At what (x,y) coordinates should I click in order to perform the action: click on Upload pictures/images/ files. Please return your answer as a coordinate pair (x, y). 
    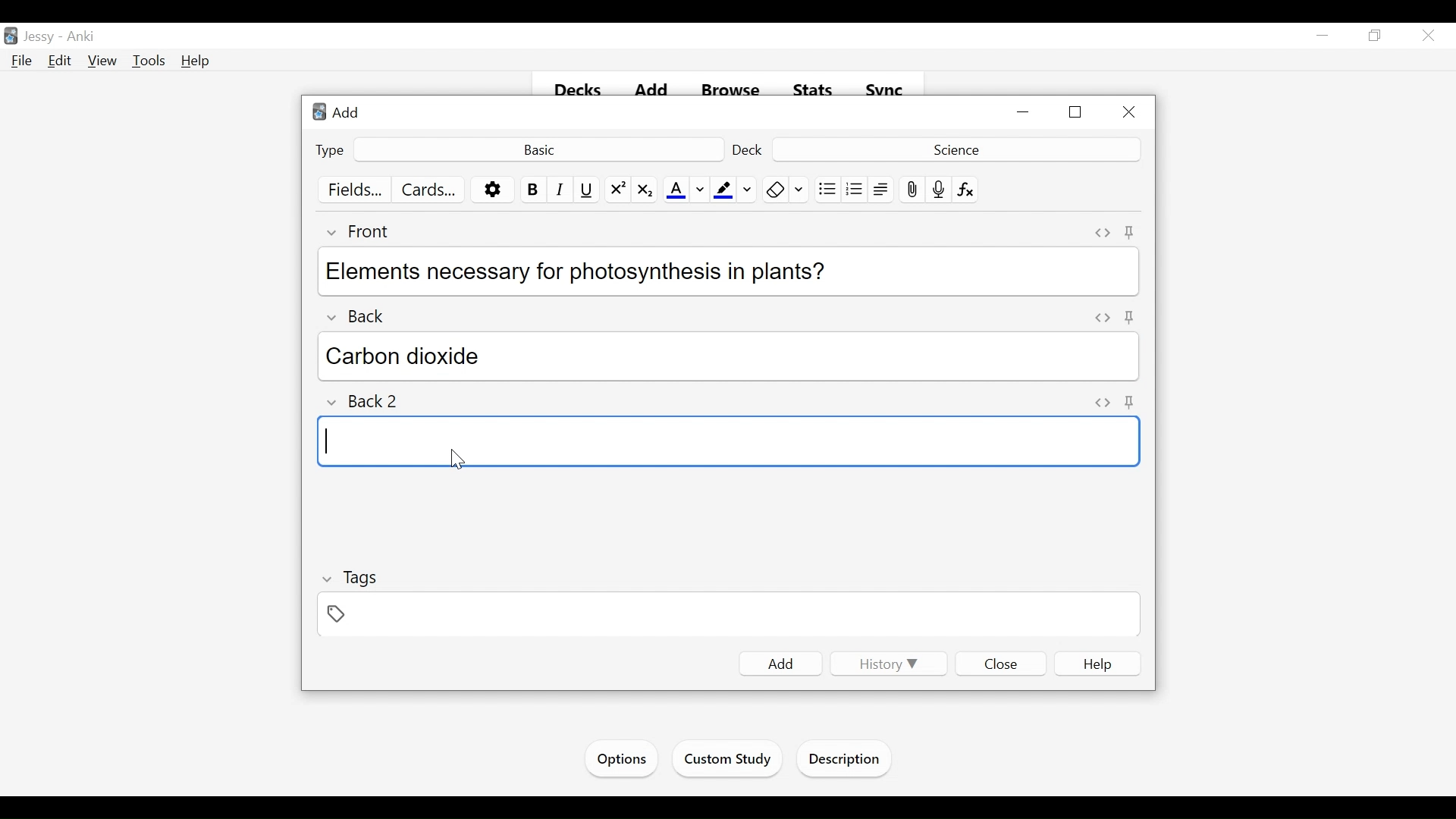
    Looking at the image, I should click on (911, 190).